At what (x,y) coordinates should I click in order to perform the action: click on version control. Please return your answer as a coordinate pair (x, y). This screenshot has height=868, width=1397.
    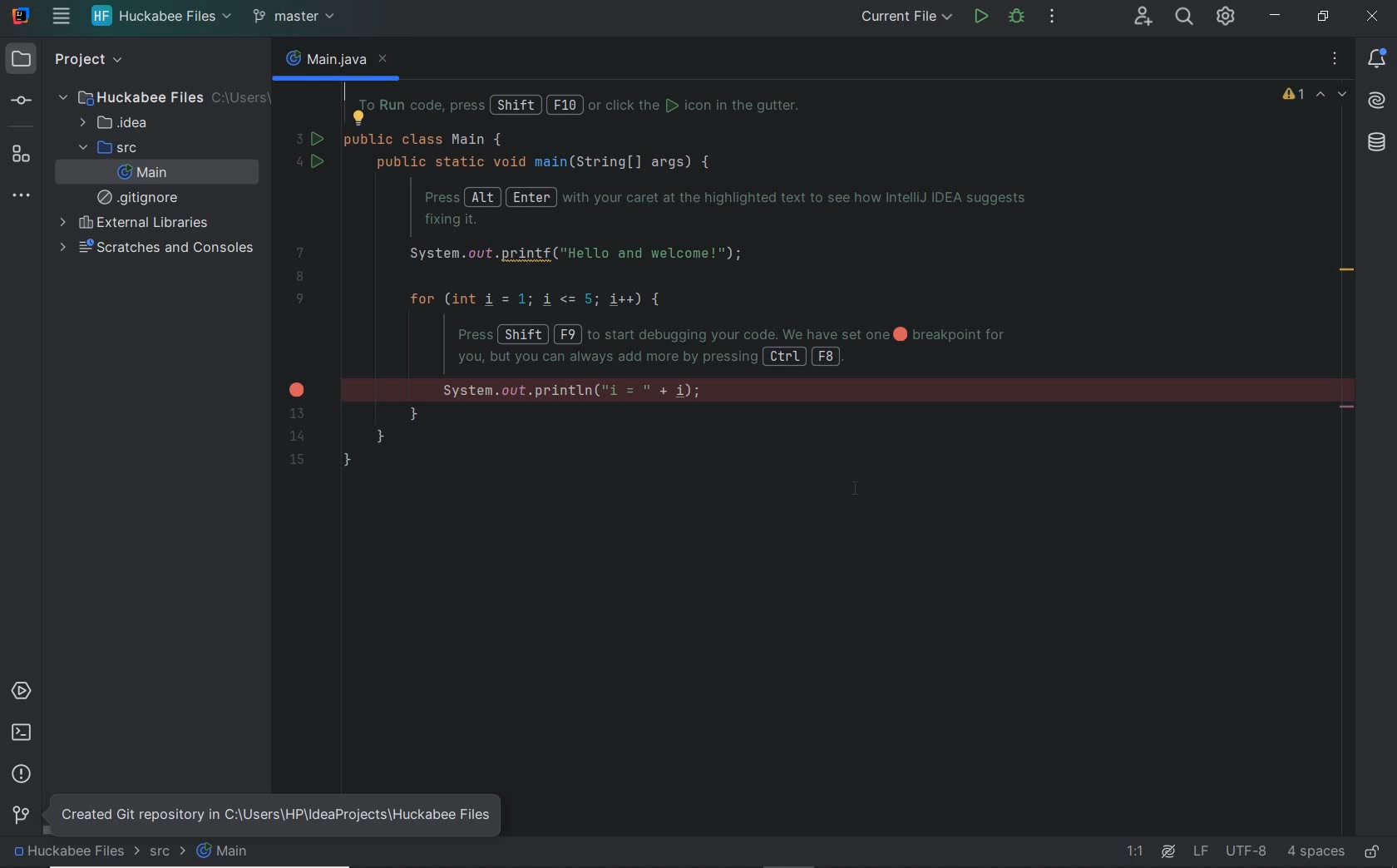
    Looking at the image, I should click on (21, 816).